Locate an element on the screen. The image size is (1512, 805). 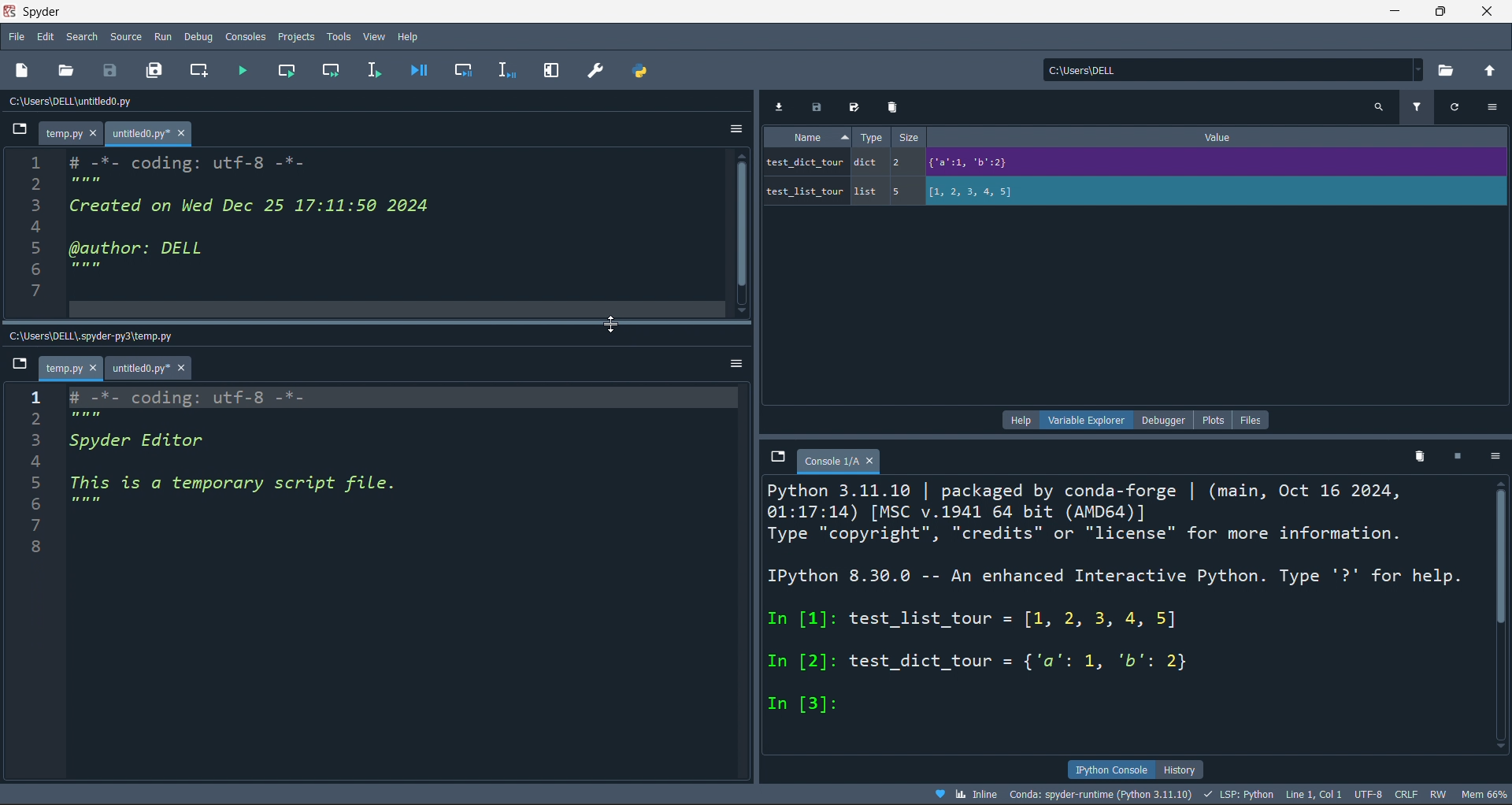
edit is located at coordinates (46, 36).